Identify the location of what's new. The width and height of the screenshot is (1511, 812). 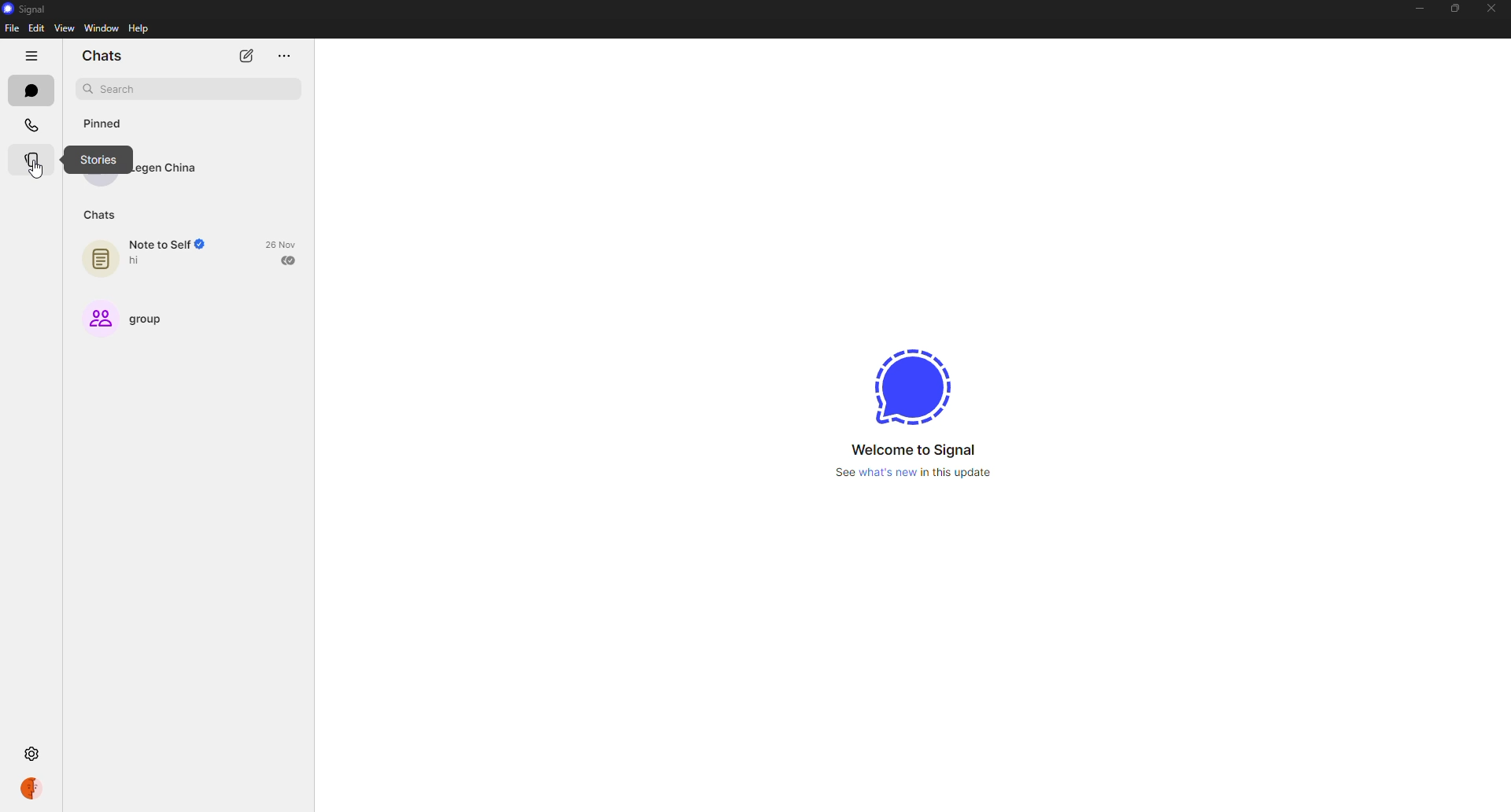
(918, 472).